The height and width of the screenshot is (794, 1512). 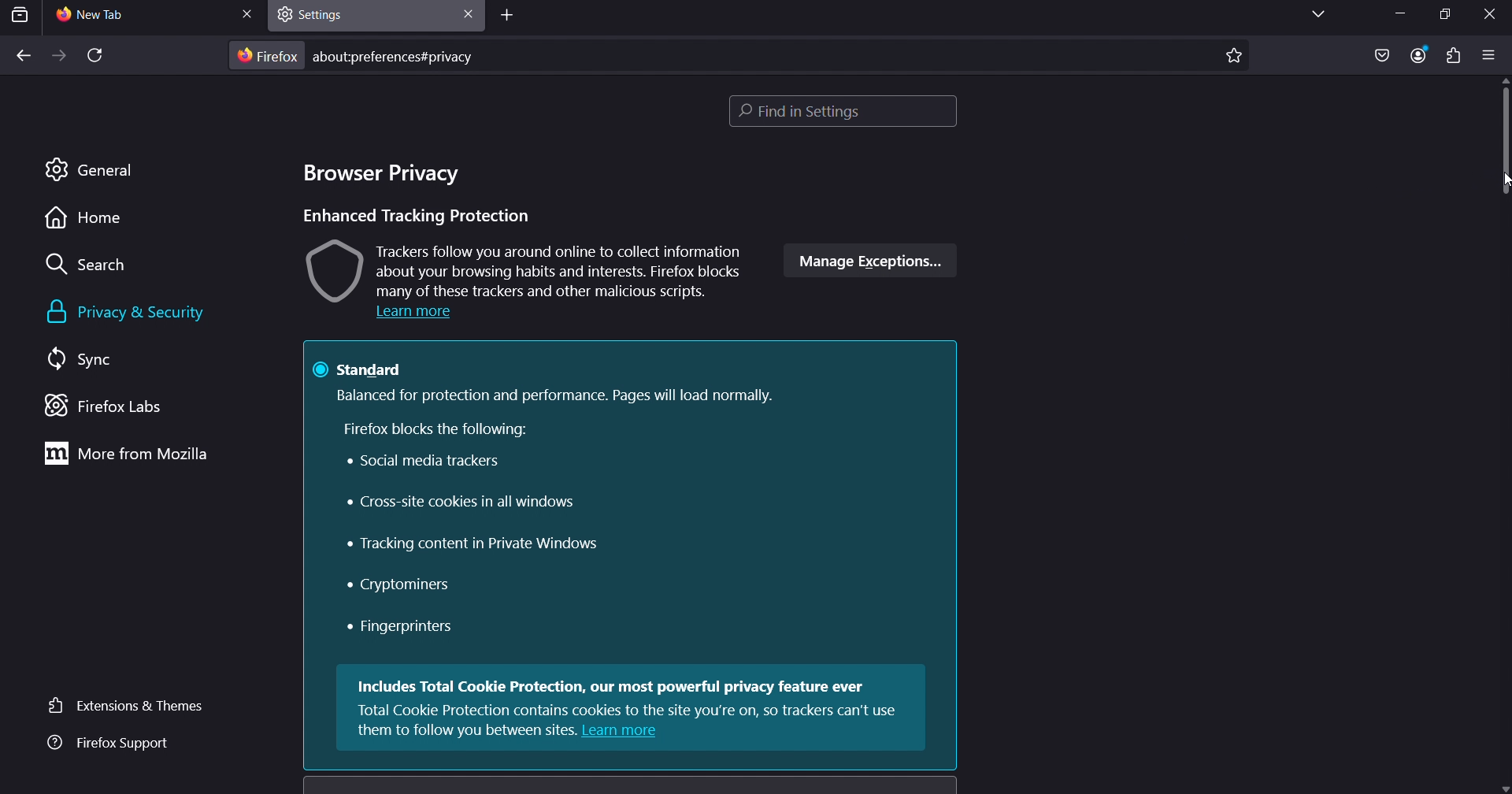 I want to click on image, so click(x=334, y=274).